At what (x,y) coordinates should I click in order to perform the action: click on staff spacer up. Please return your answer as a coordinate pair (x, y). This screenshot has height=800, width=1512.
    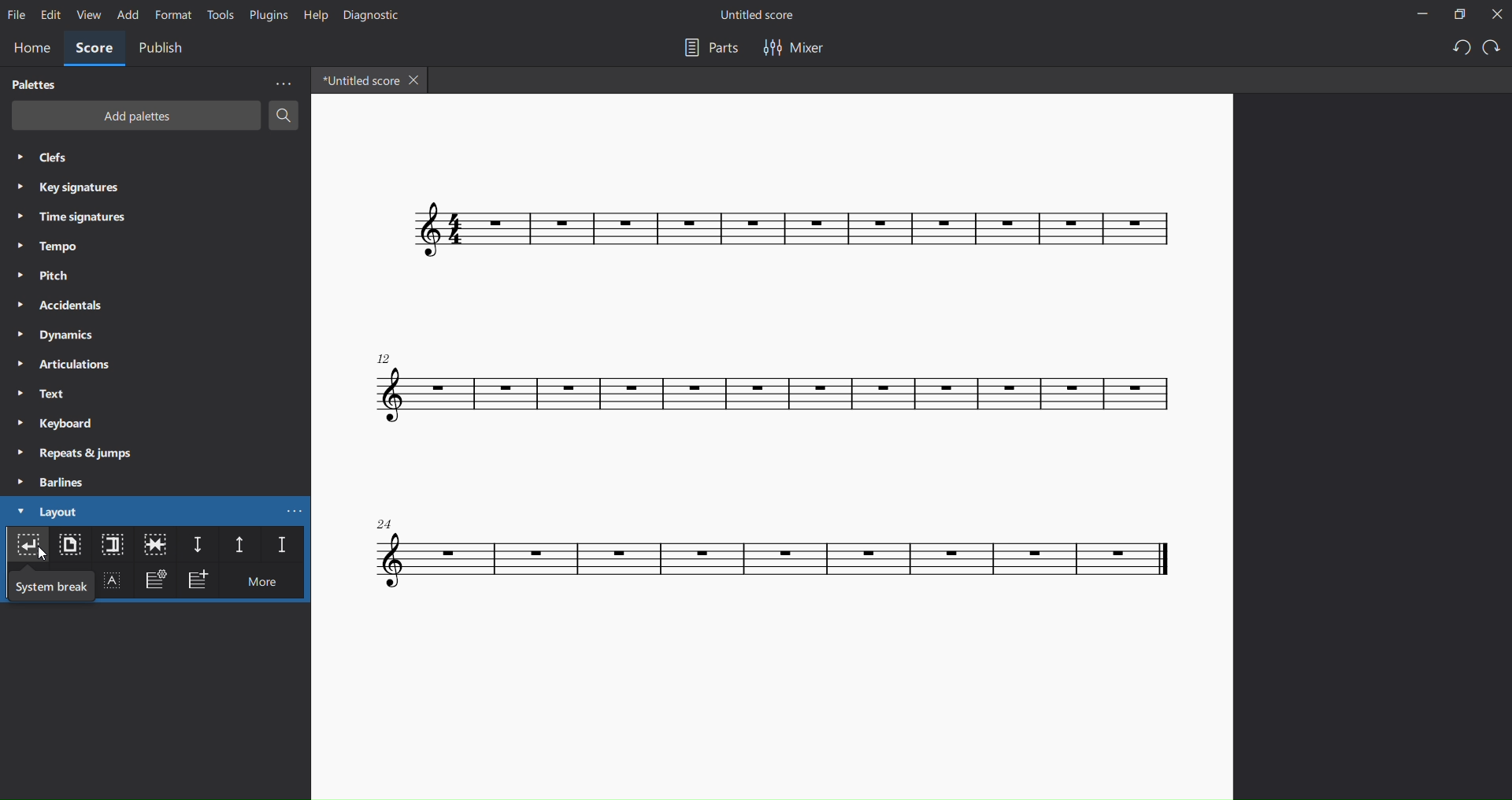
    Looking at the image, I should click on (235, 545).